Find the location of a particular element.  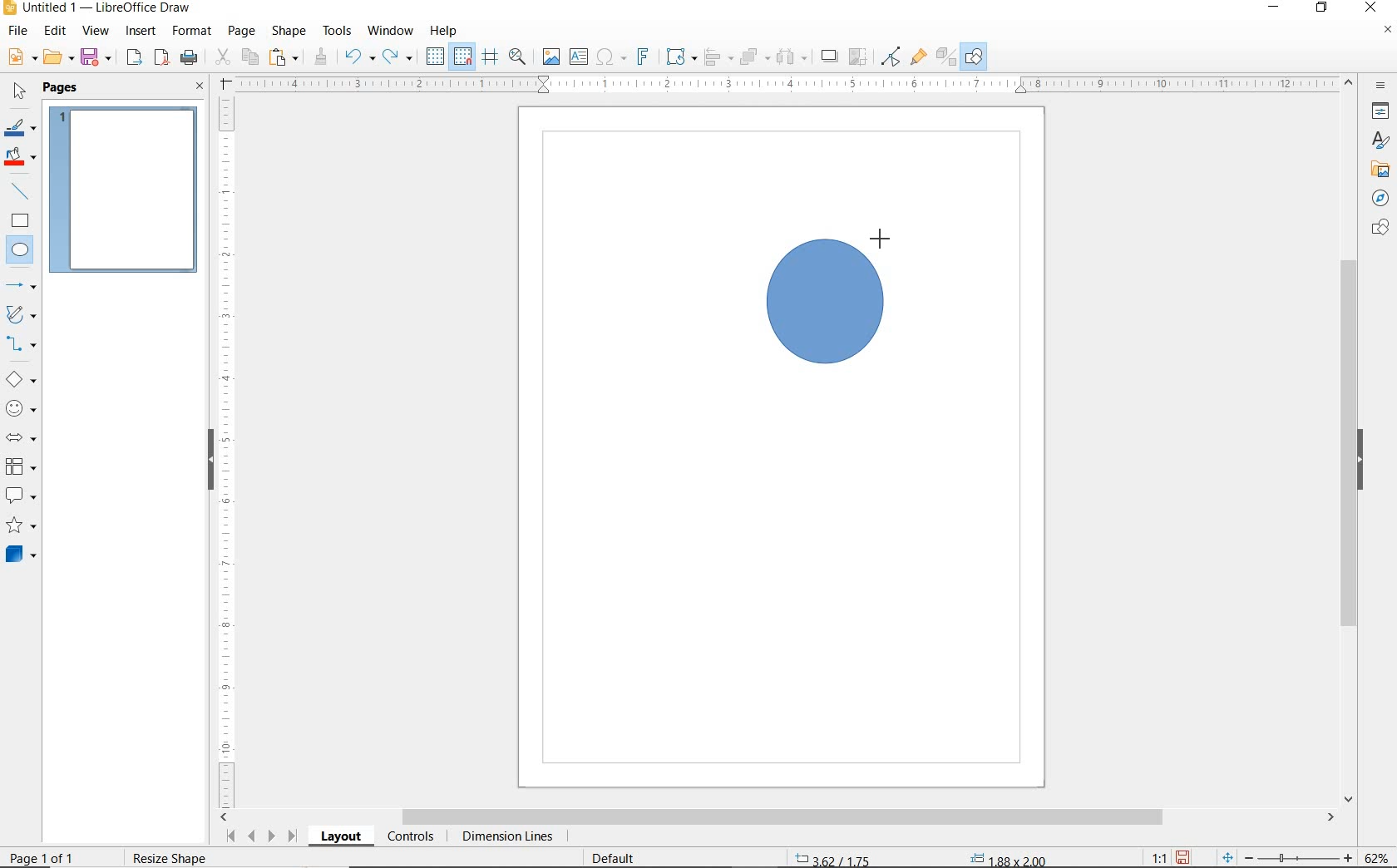

EDIT is located at coordinates (56, 31).